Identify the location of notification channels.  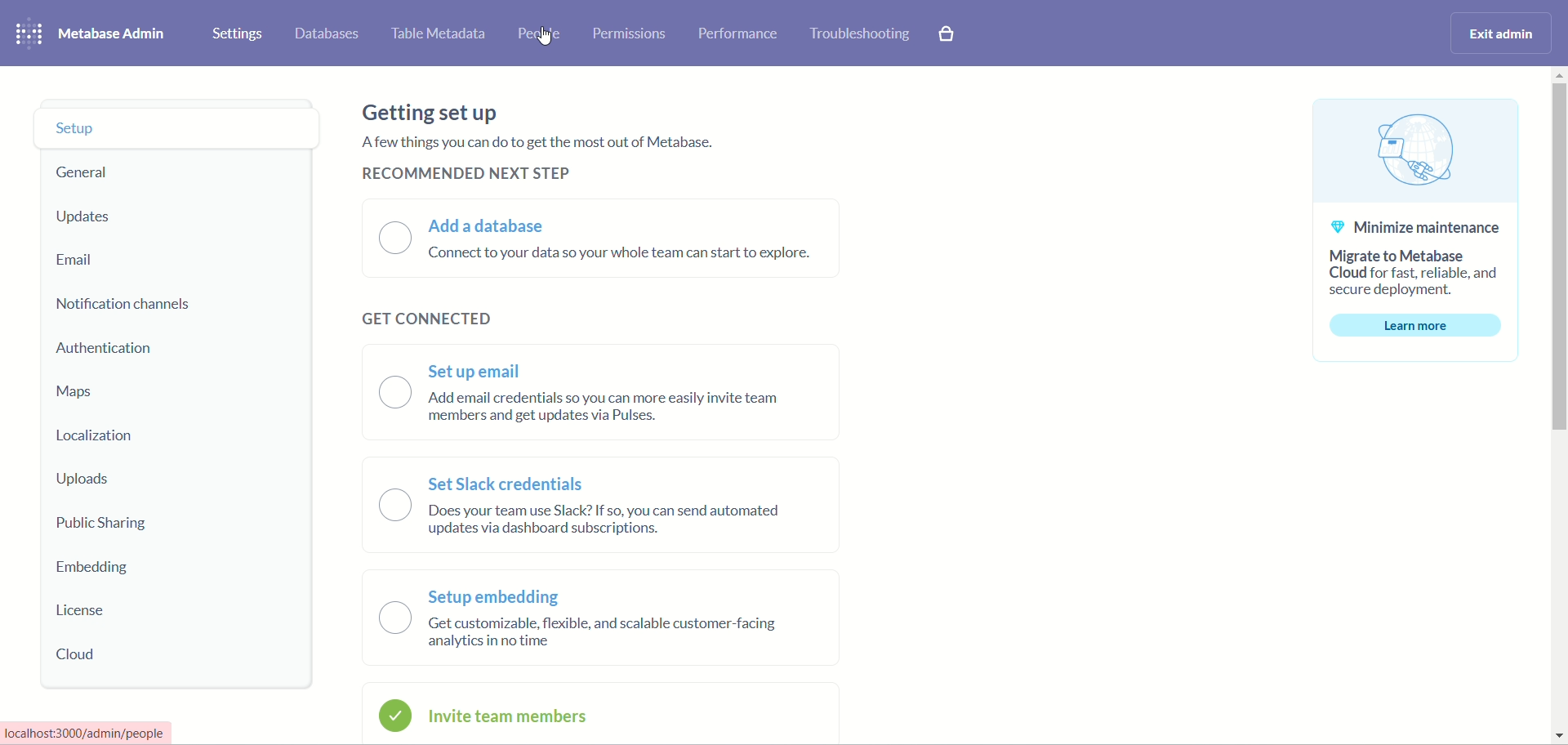
(127, 305).